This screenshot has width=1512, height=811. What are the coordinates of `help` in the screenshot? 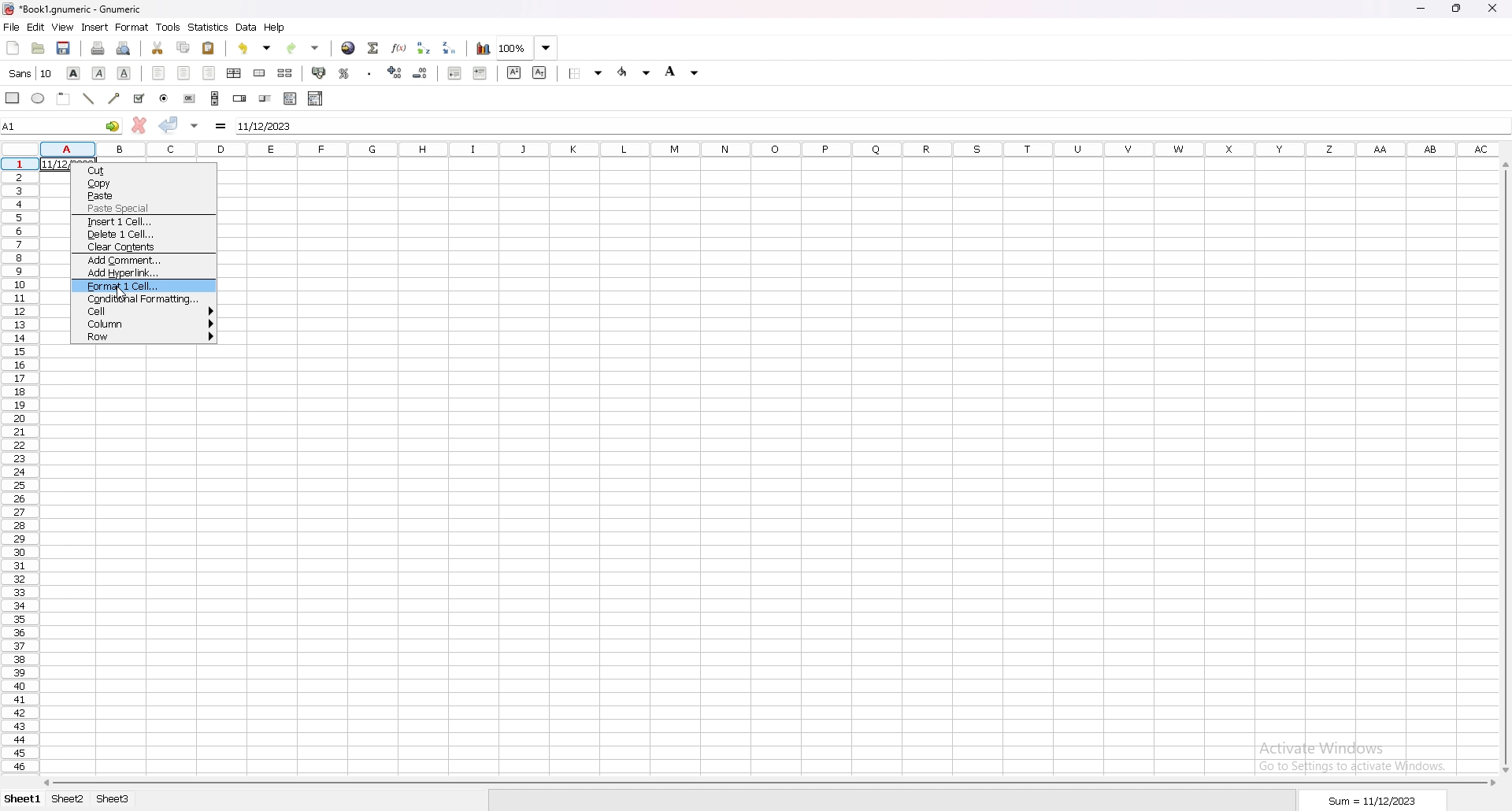 It's located at (276, 28).